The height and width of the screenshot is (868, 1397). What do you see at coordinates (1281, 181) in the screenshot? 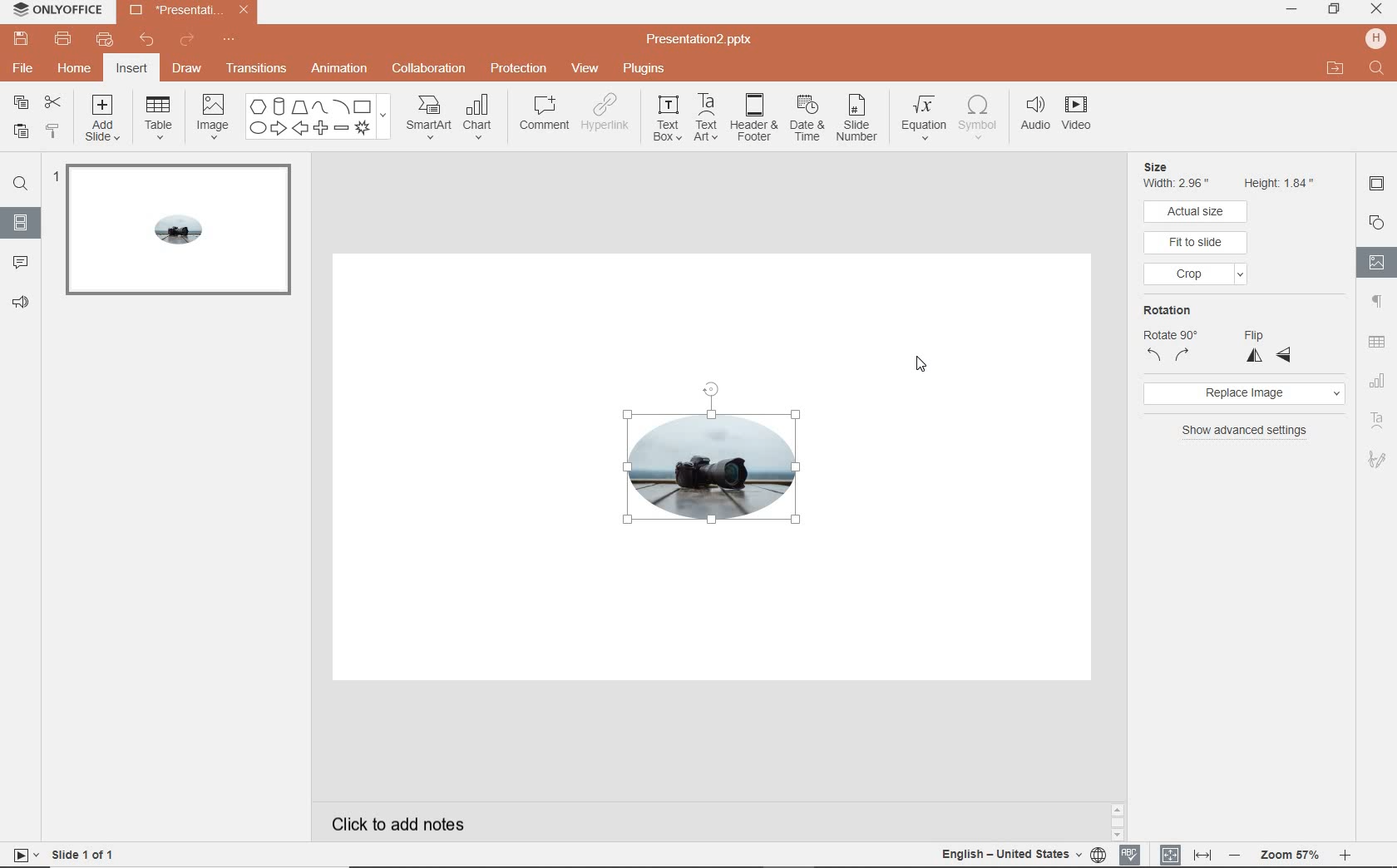
I see `Height 1.84"` at bounding box center [1281, 181].